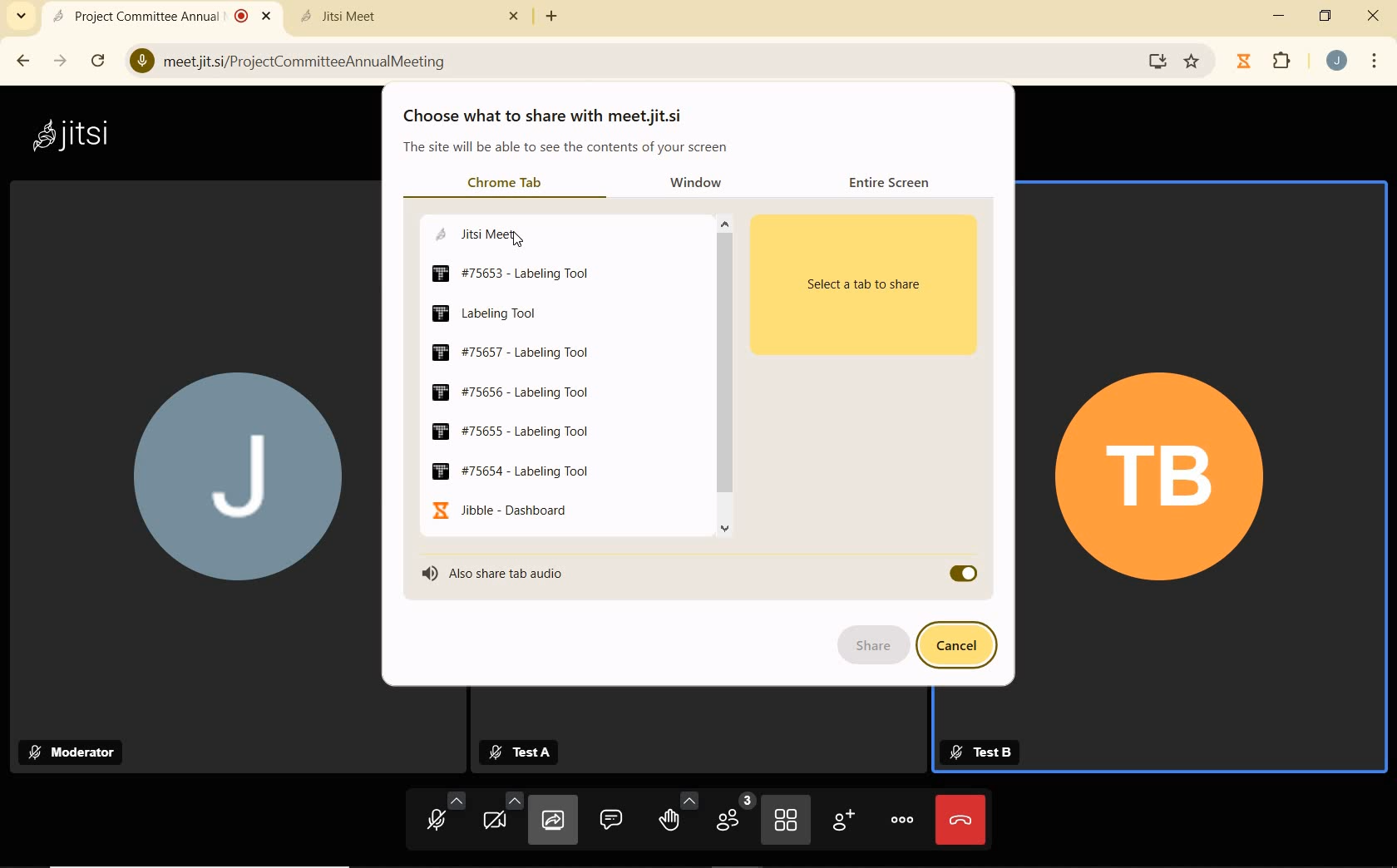  Describe the element at coordinates (437, 818) in the screenshot. I see `MICROPHONE` at that location.